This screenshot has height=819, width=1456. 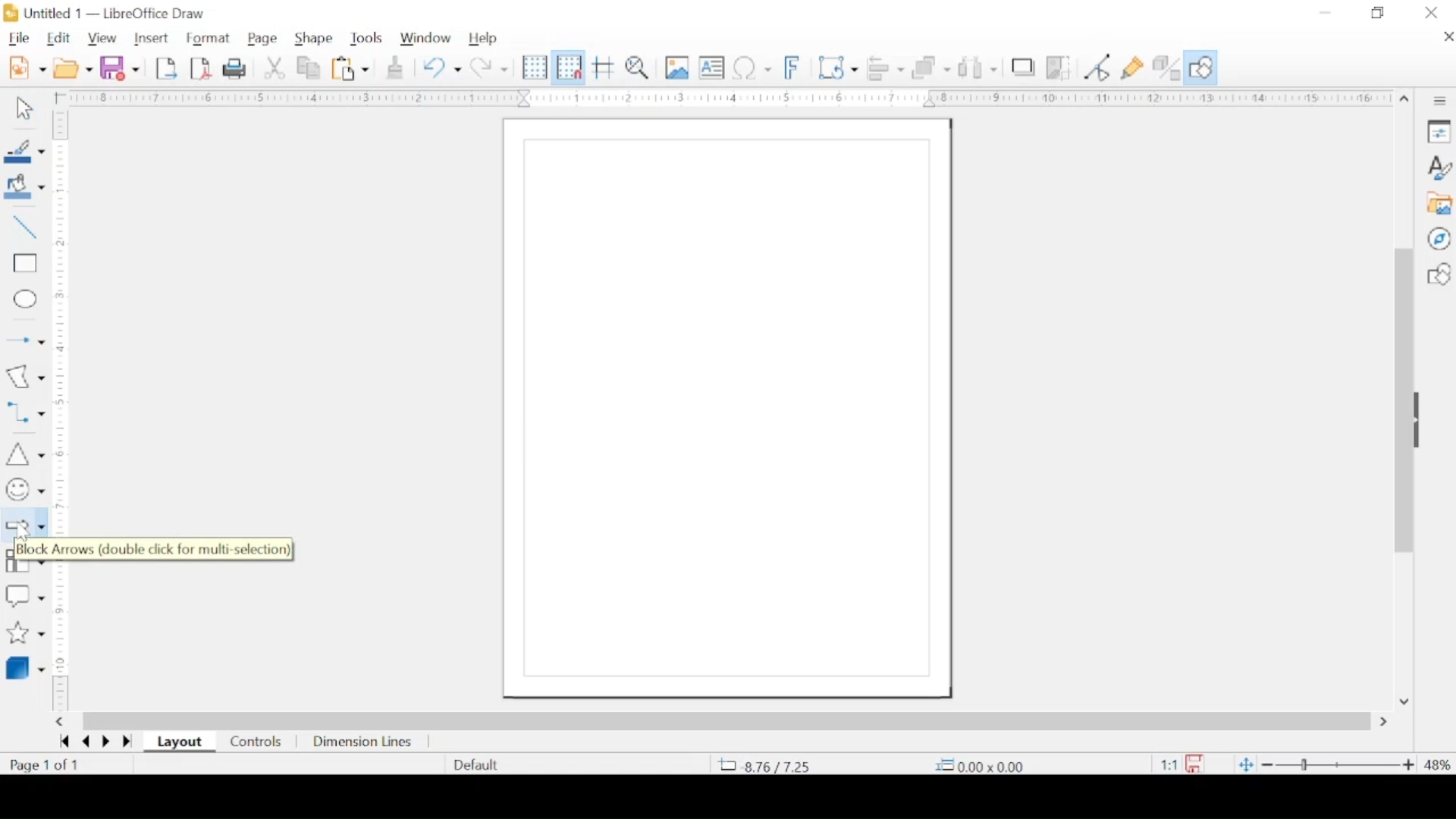 I want to click on margin, so click(x=61, y=638).